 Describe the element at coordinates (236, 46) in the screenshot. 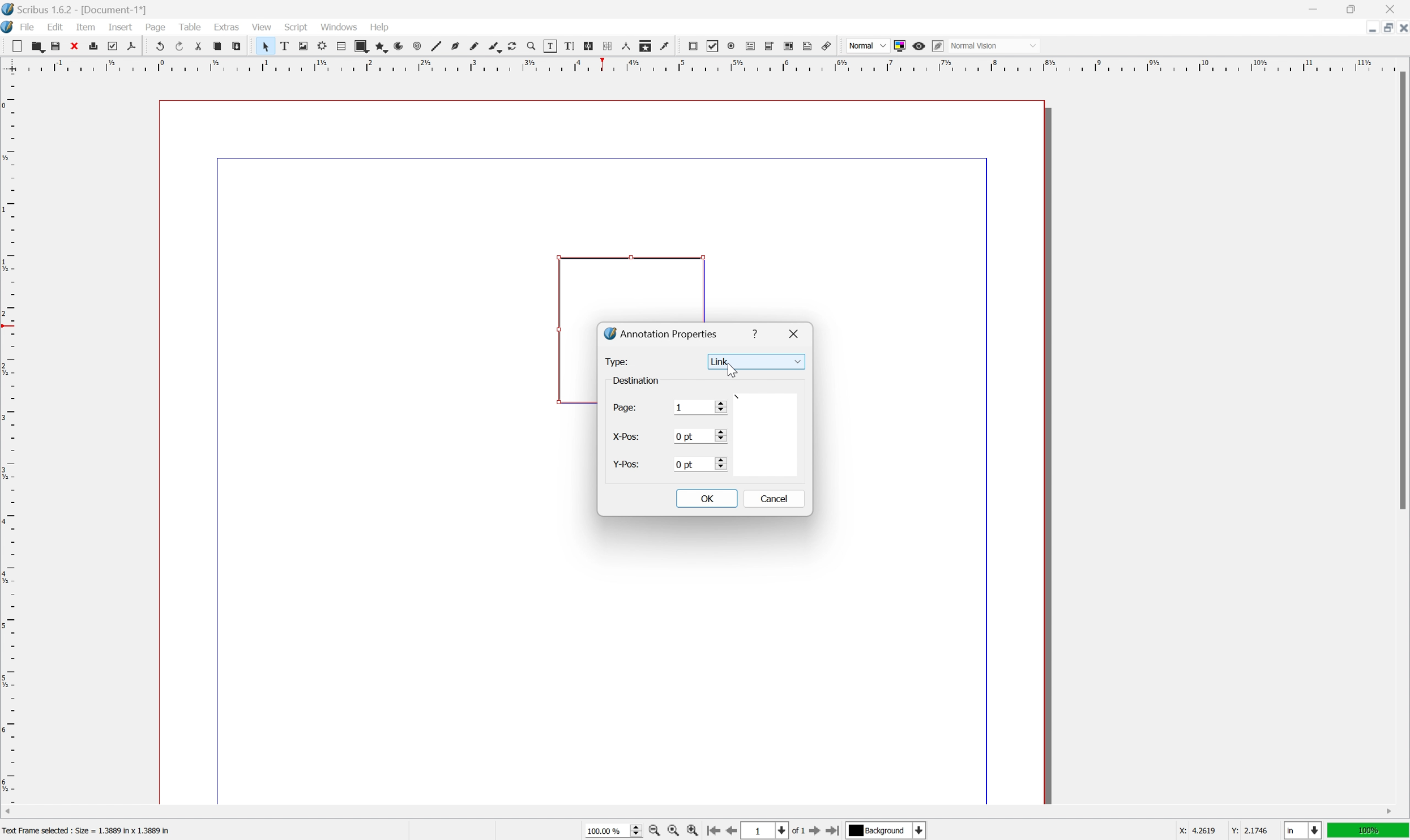

I see `paste` at that location.